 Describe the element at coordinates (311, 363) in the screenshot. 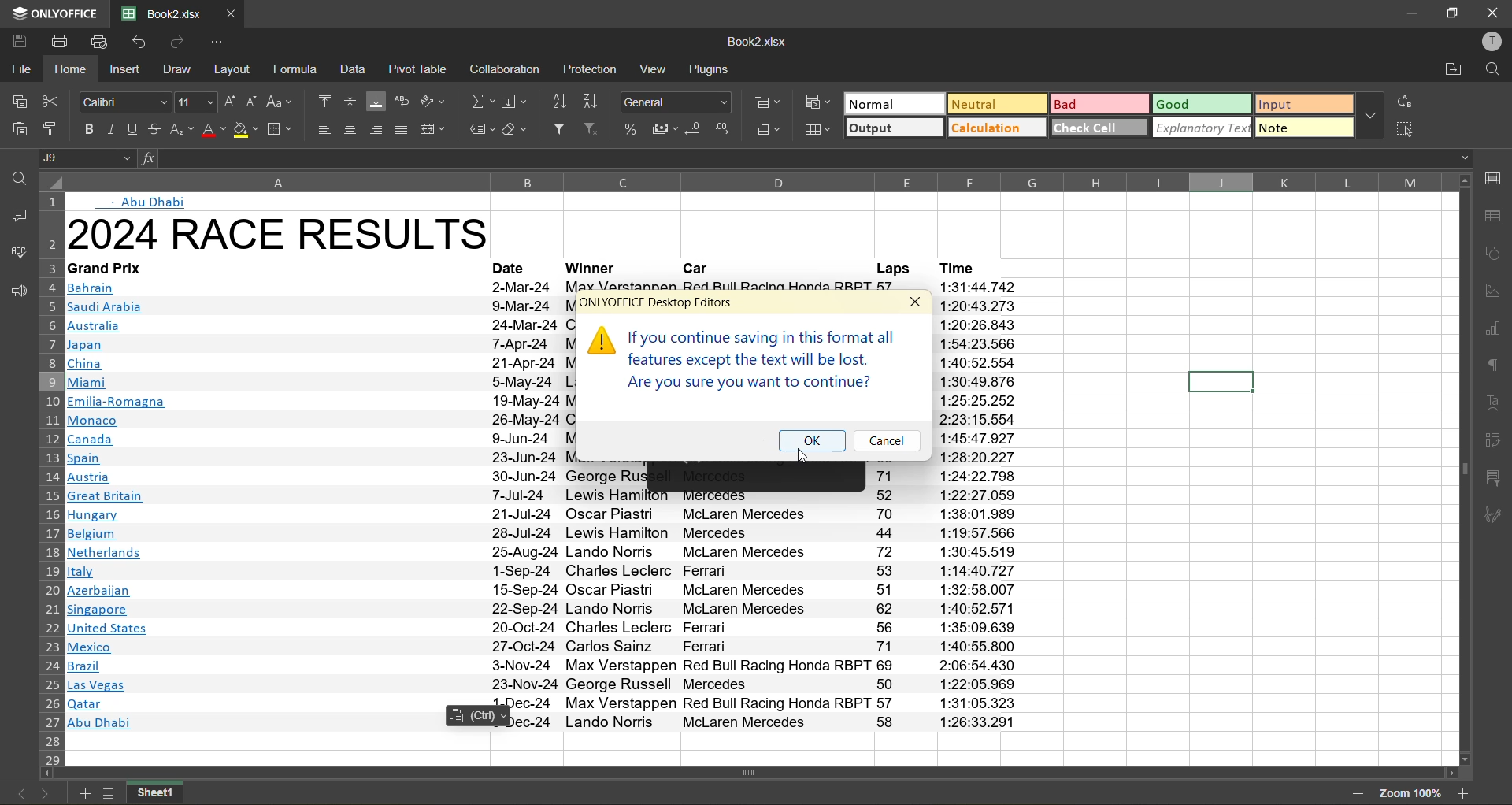

I see `text info` at that location.